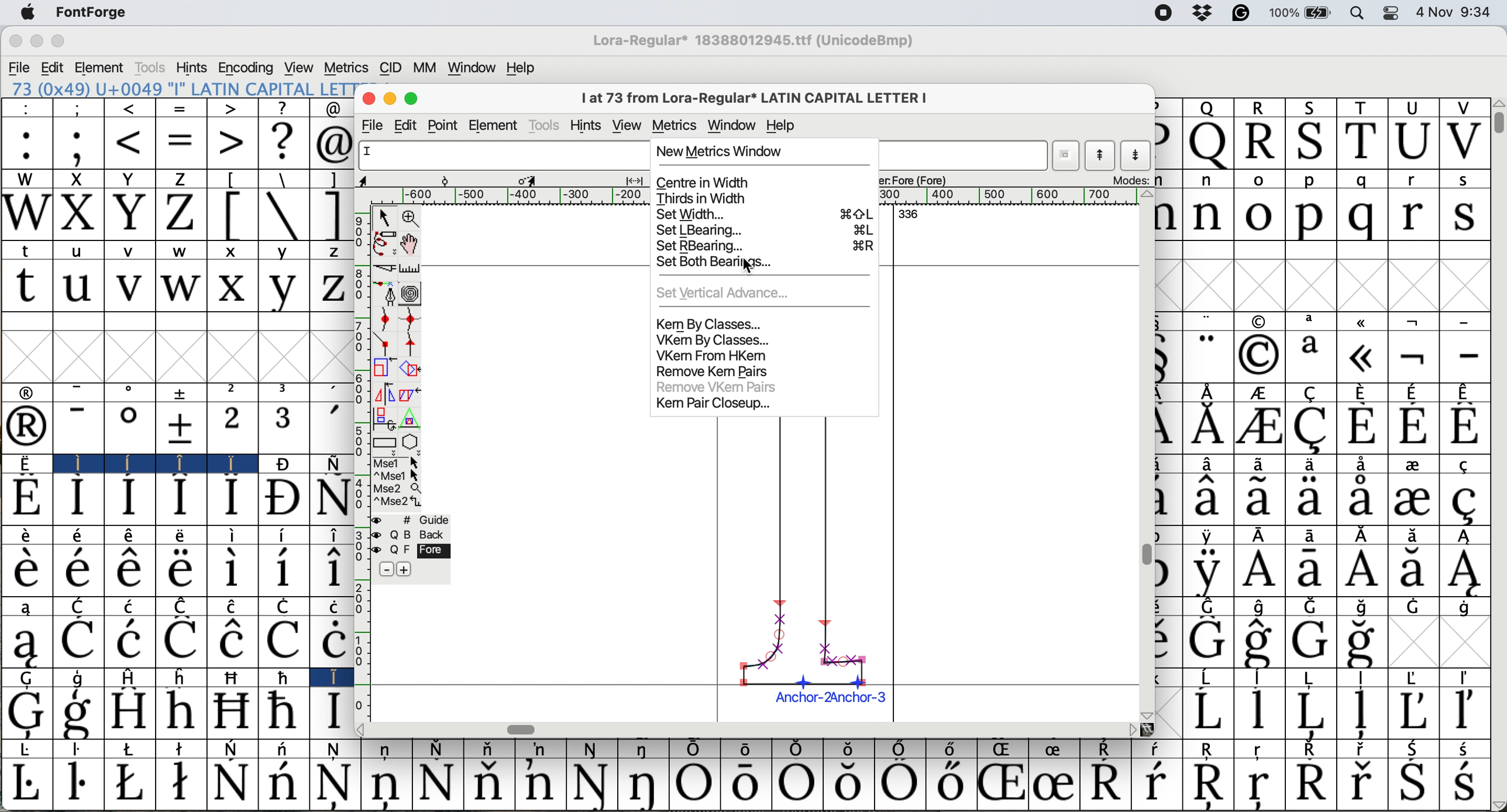 Image resolution: width=1507 pixels, height=812 pixels. I want to click on Symbol, so click(436, 748).